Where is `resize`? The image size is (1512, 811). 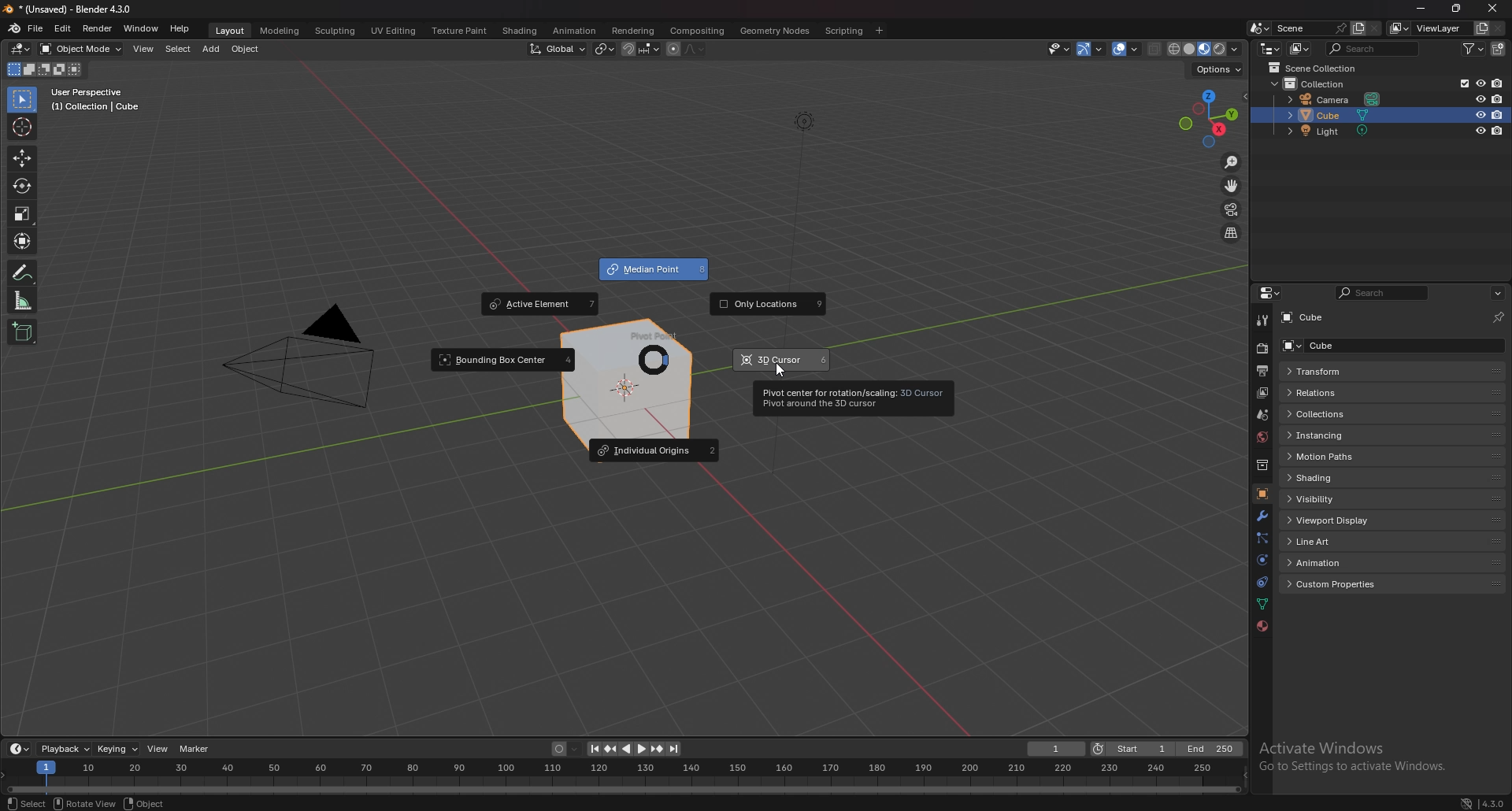
resize is located at coordinates (1458, 9).